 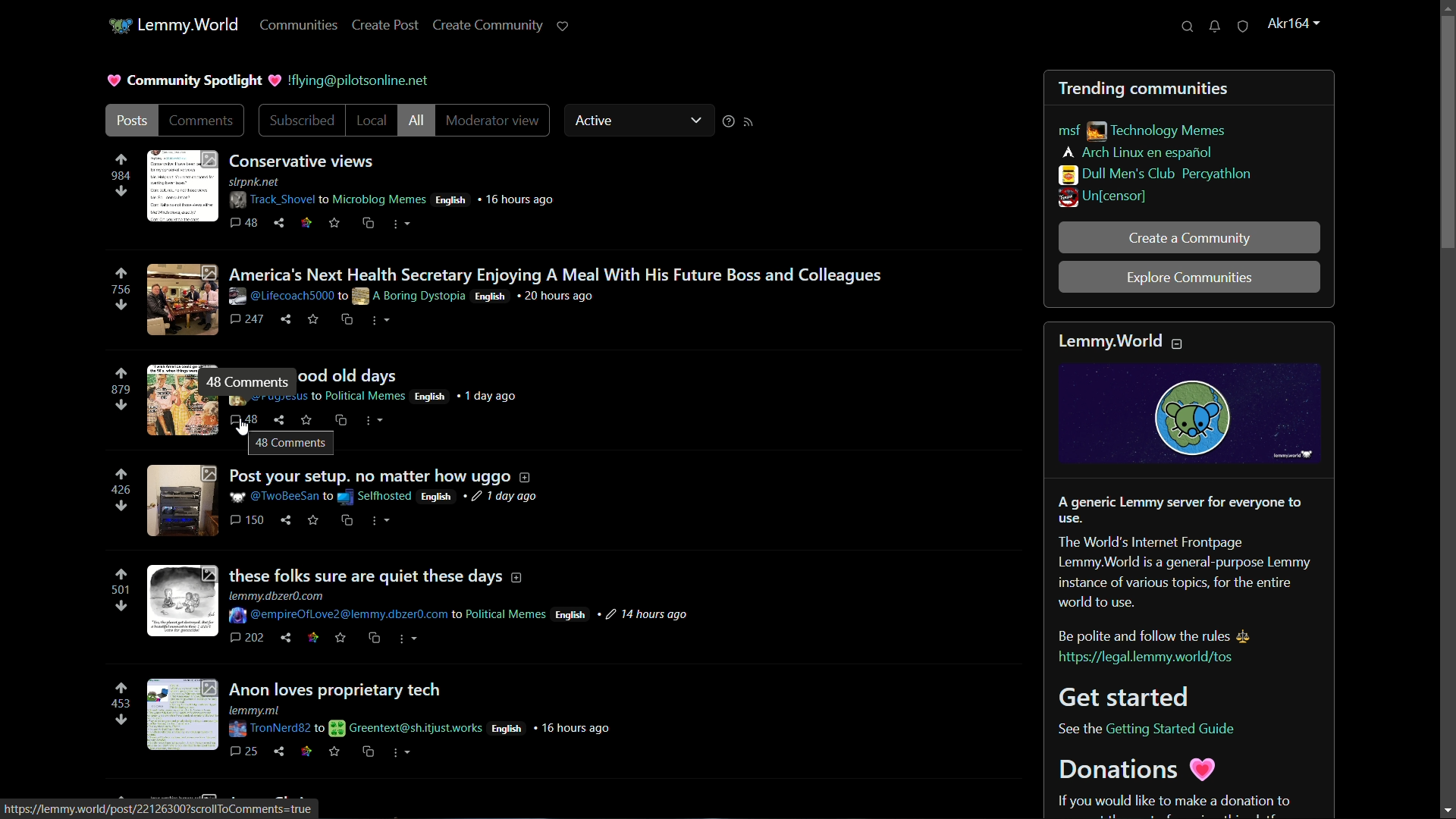 I want to click on cross posts, so click(x=340, y=421).